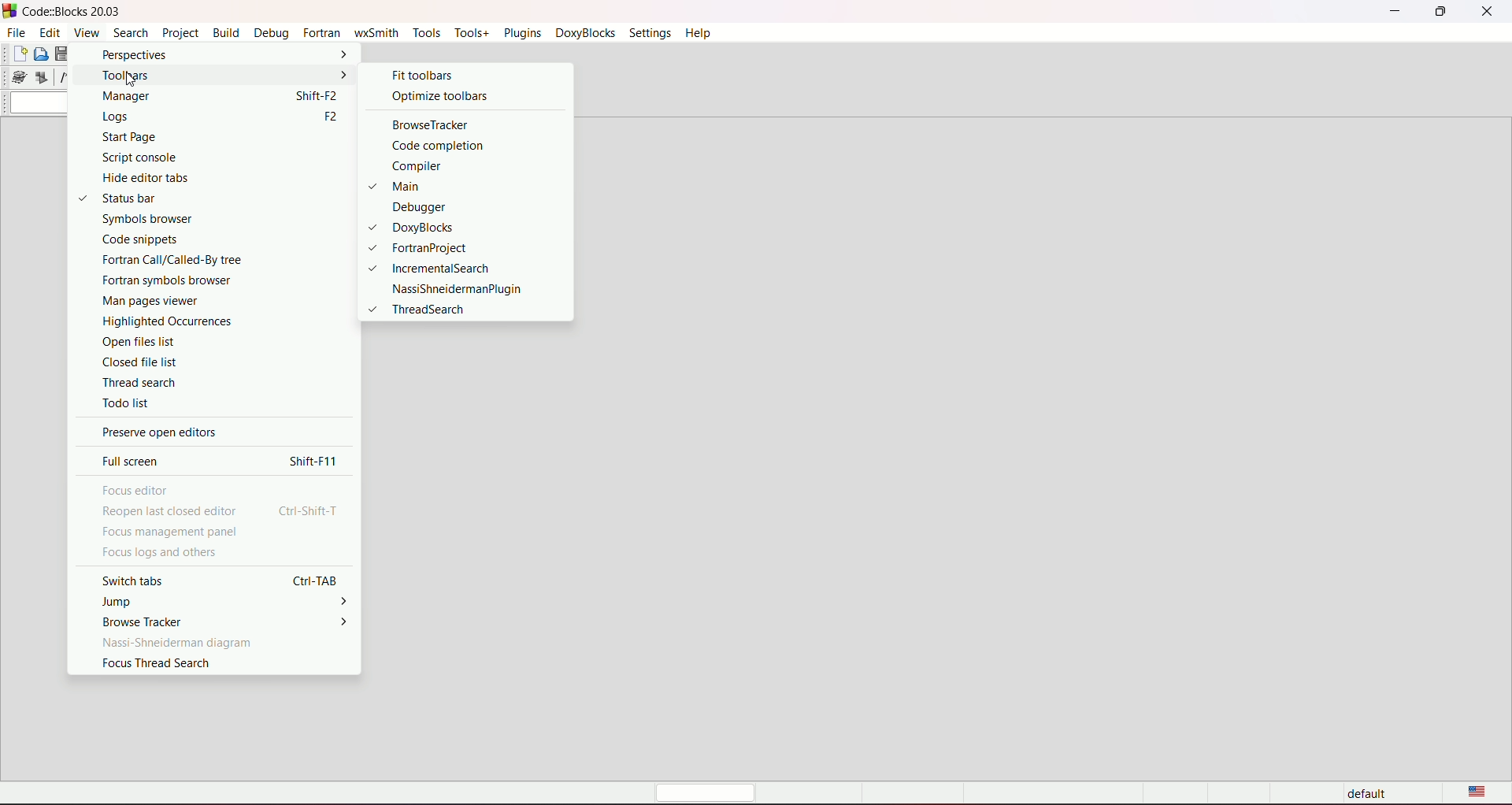 Image resolution: width=1512 pixels, height=805 pixels. What do you see at coordinates (157, 663) in the screenshot?
I see `focus thread search` at bounding box center [157, 663].